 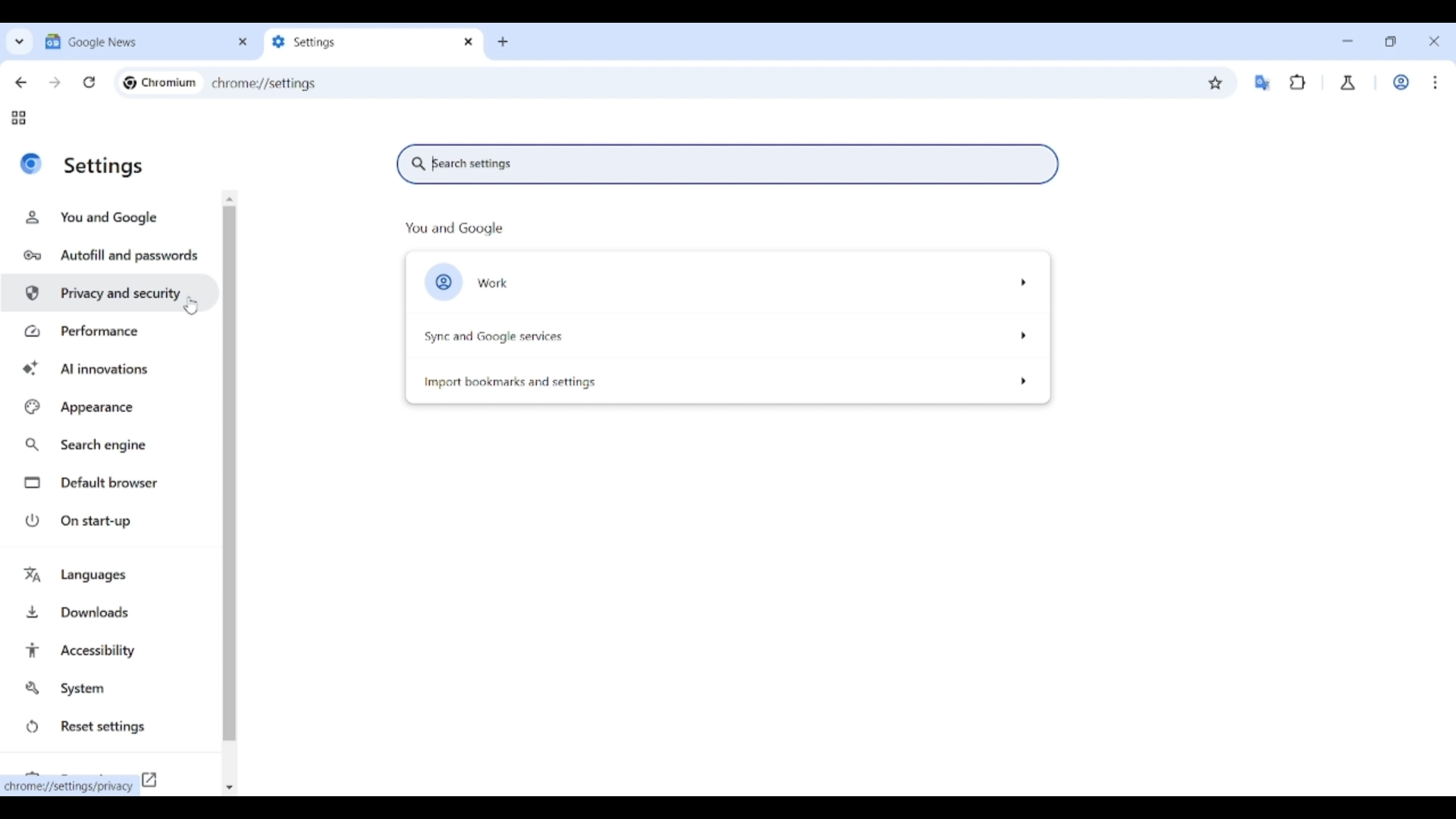 What do you see at coordinates (503, 42) in the screenshot?
I see `Add new tab` at bounding box center [503, 42].